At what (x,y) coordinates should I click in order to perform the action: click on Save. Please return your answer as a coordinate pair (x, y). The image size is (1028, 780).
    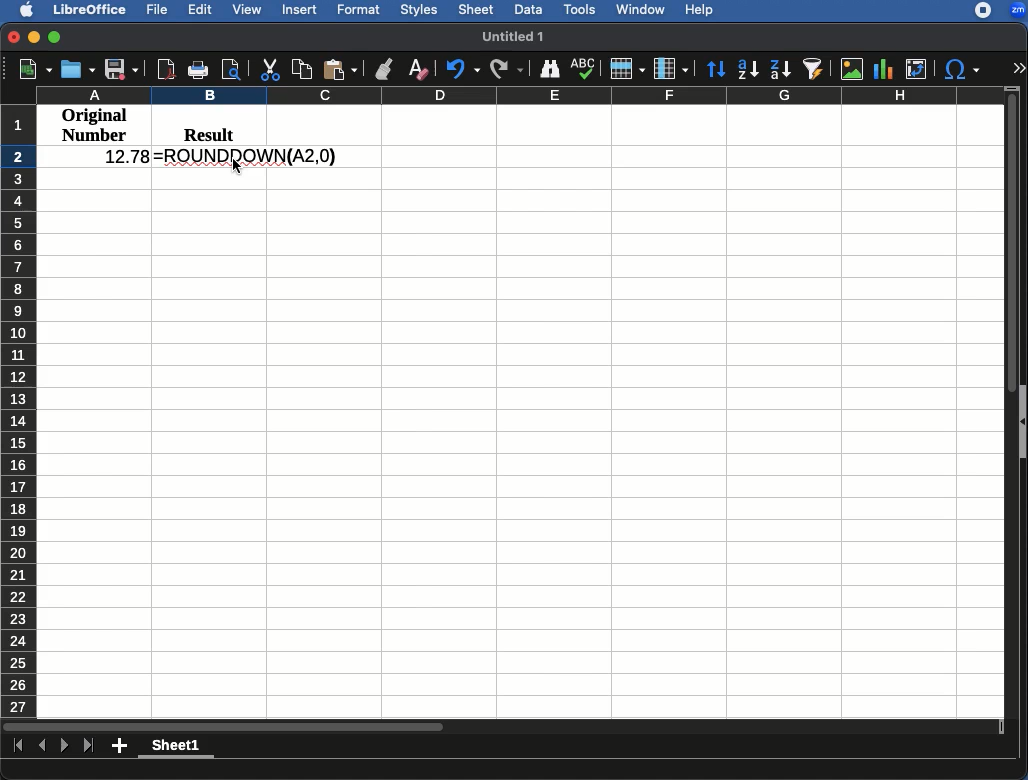
    Looking at the image, I should click on (122, 70).